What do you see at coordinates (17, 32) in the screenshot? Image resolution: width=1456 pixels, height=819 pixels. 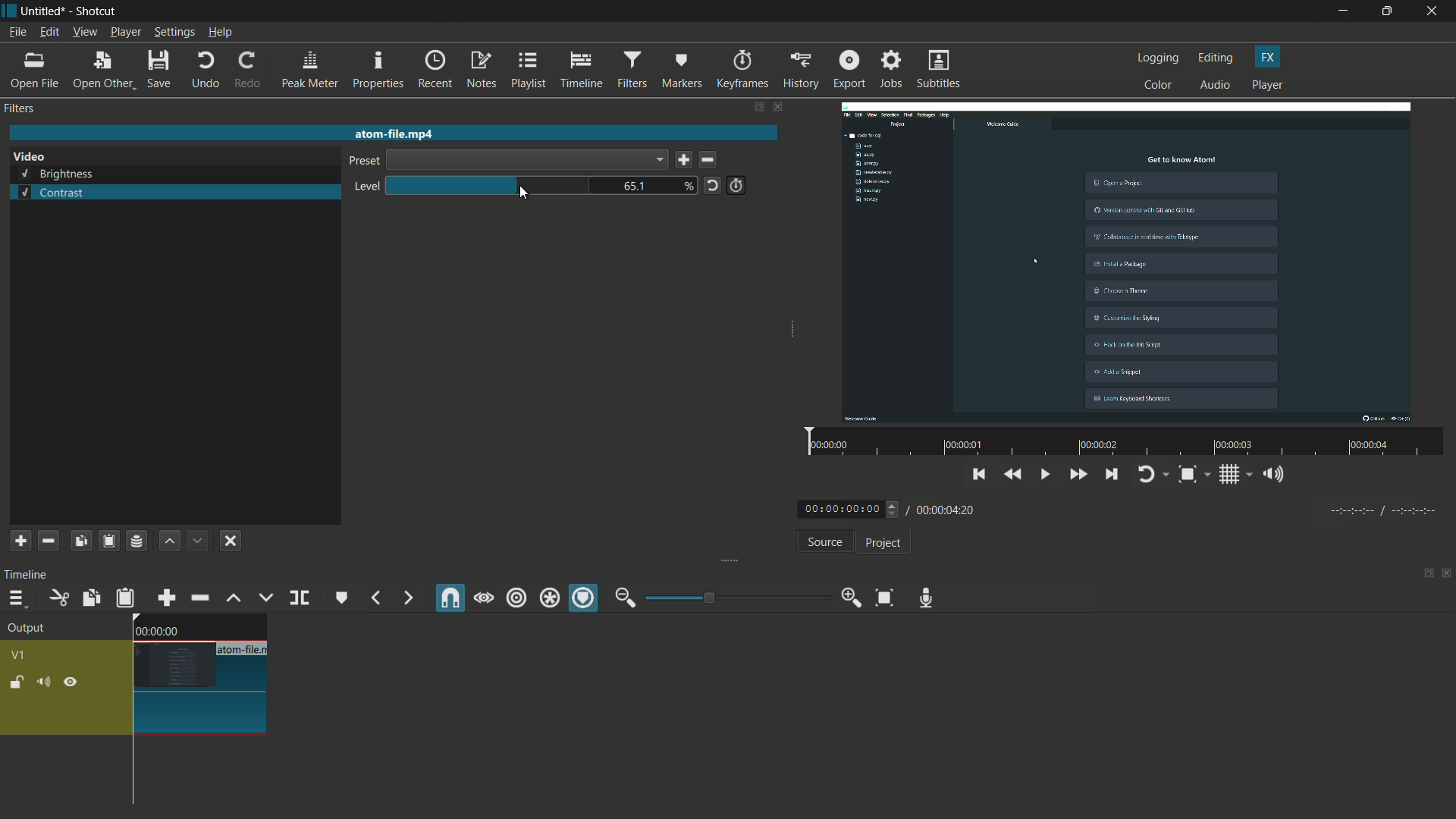 I see `file menu` at bounding box center [17, 32].